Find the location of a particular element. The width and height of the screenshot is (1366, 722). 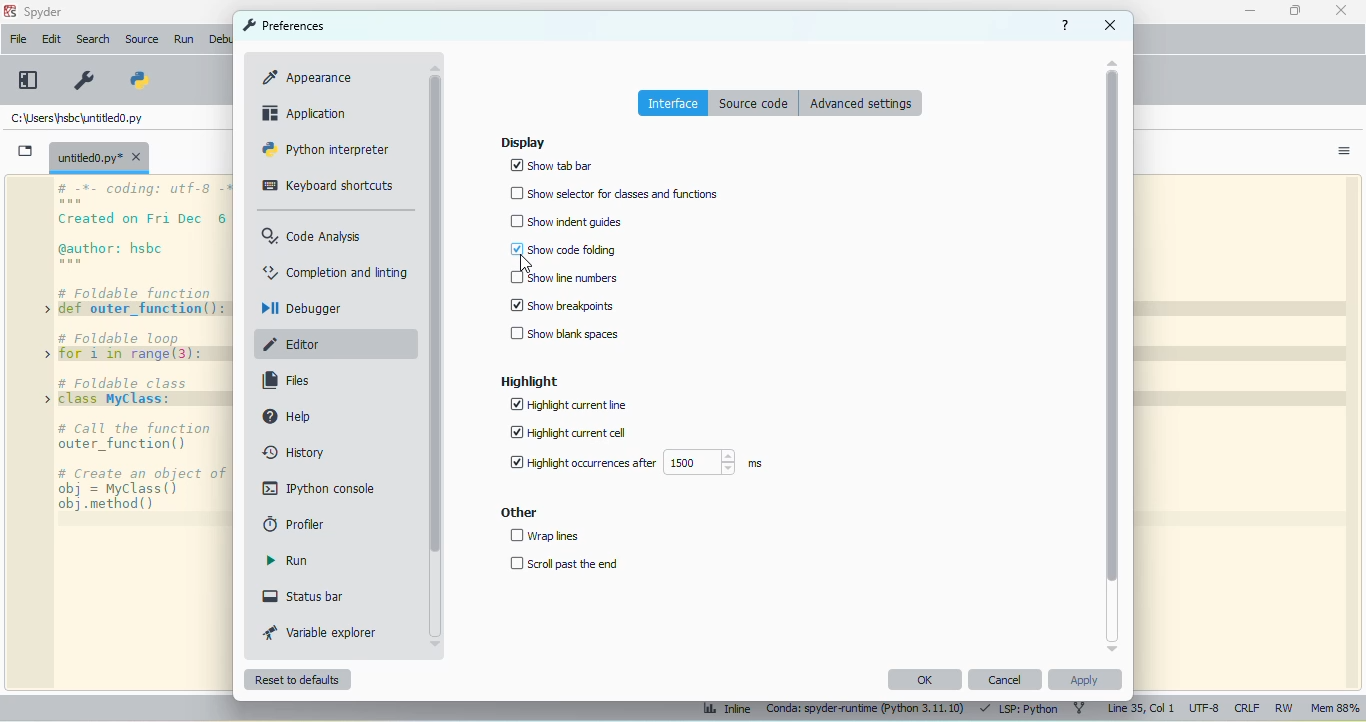

OK is located at coordinates (925, 680).